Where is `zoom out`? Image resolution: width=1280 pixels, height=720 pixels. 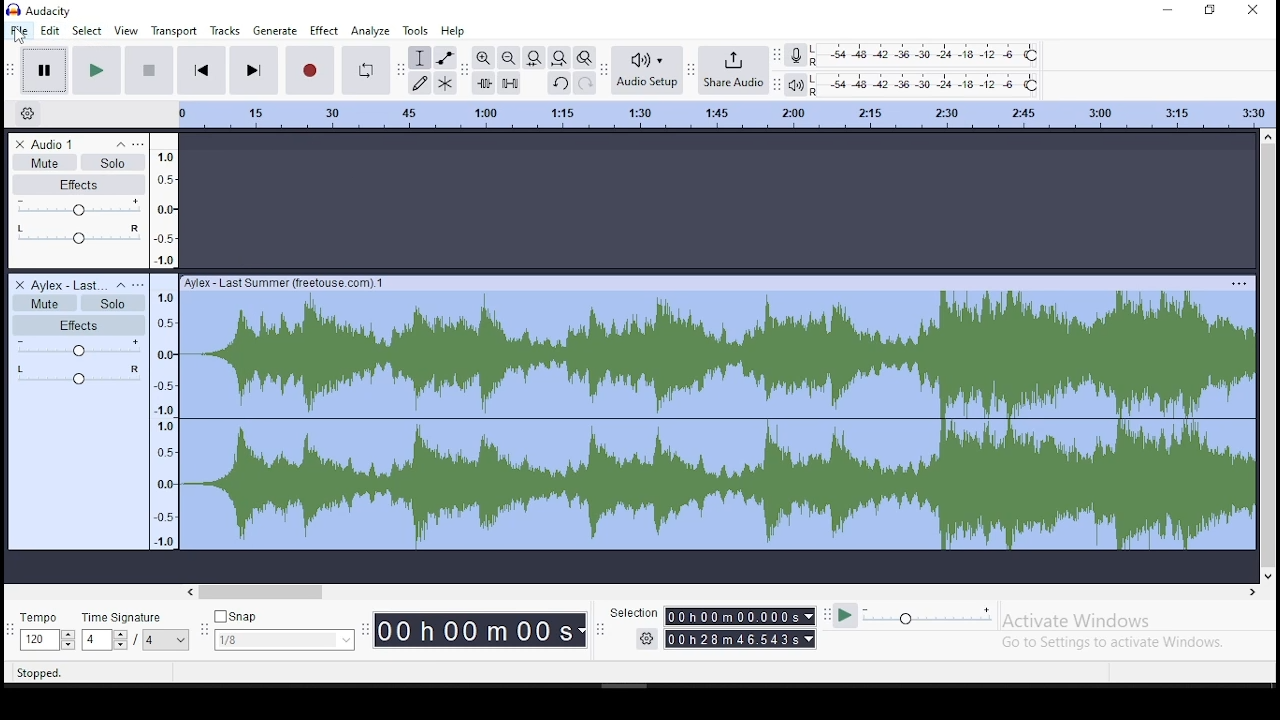 zoom out is located at coordinates (508, 58).